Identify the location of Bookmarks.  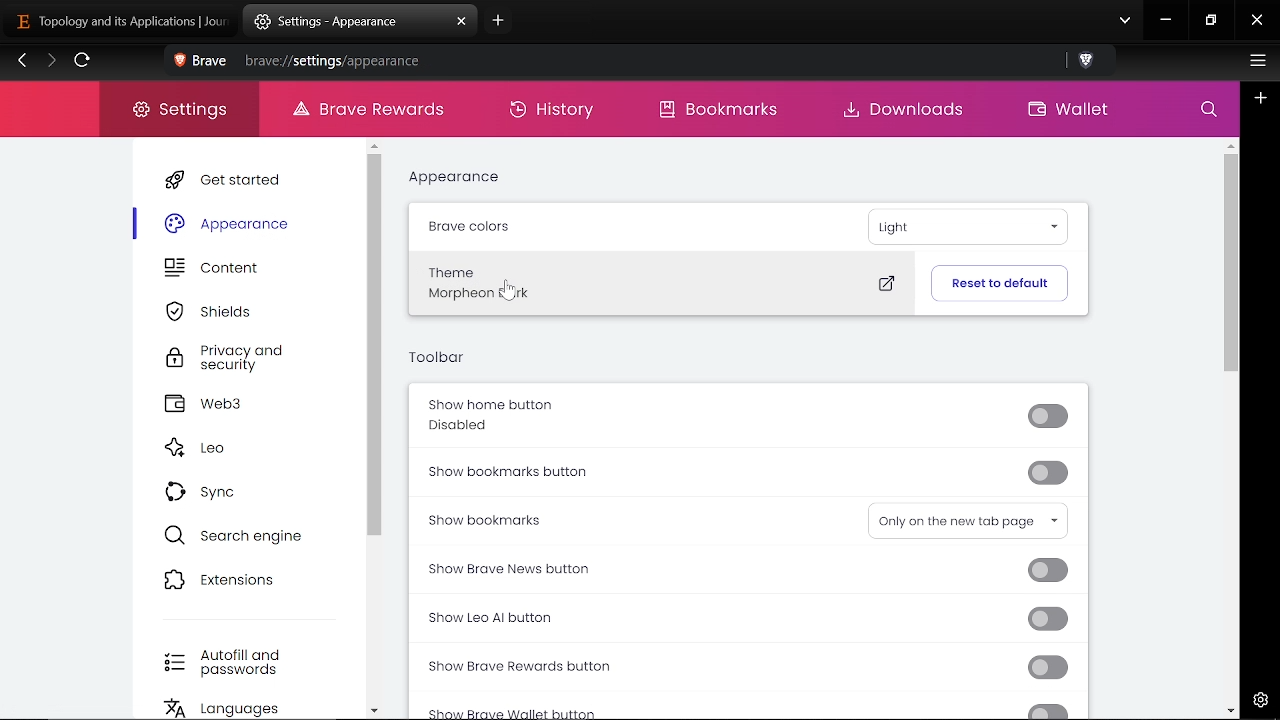
(730, 111).